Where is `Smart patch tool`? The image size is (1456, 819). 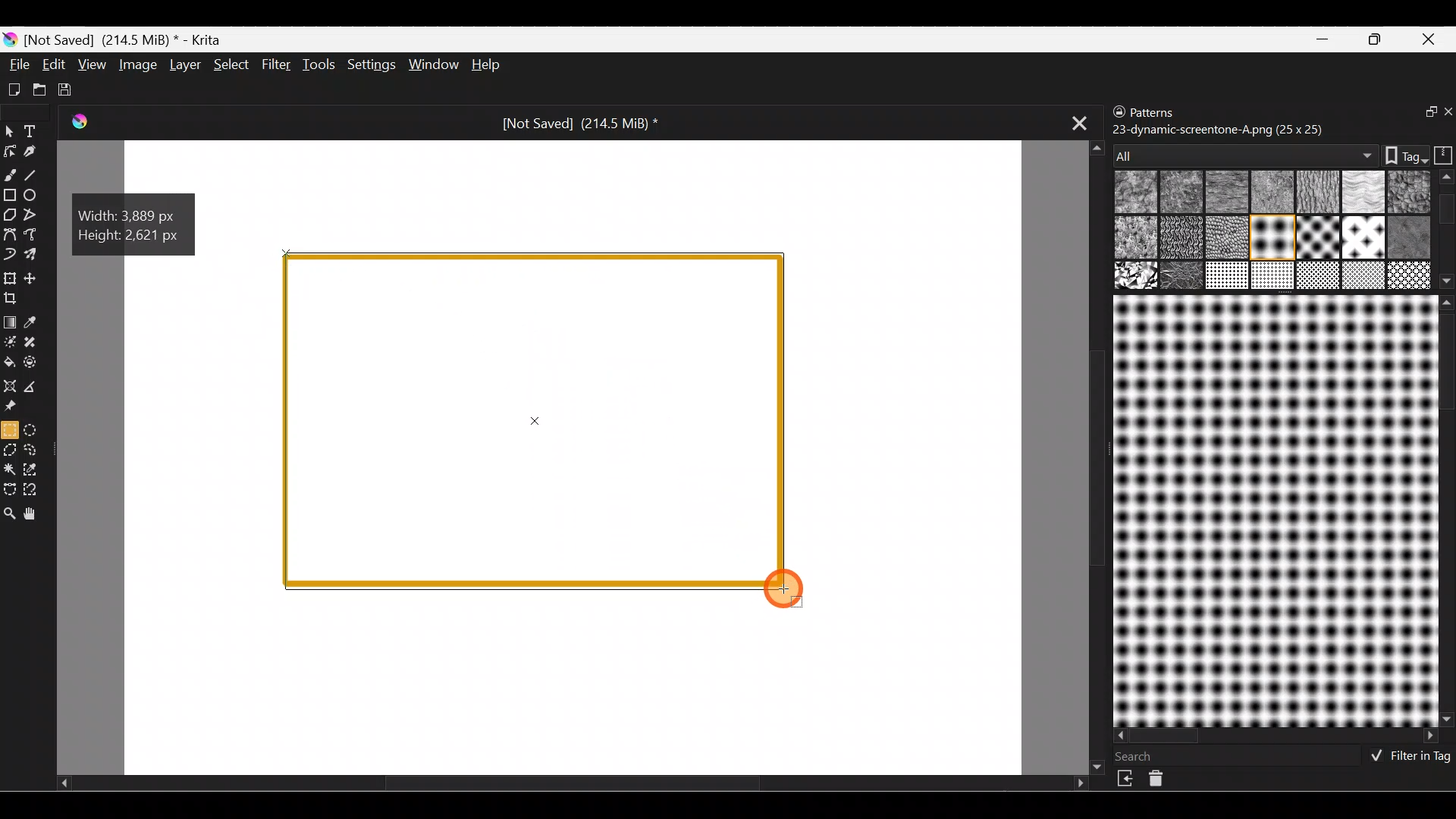 Smart patch tool is located at coordinates (39, 344).